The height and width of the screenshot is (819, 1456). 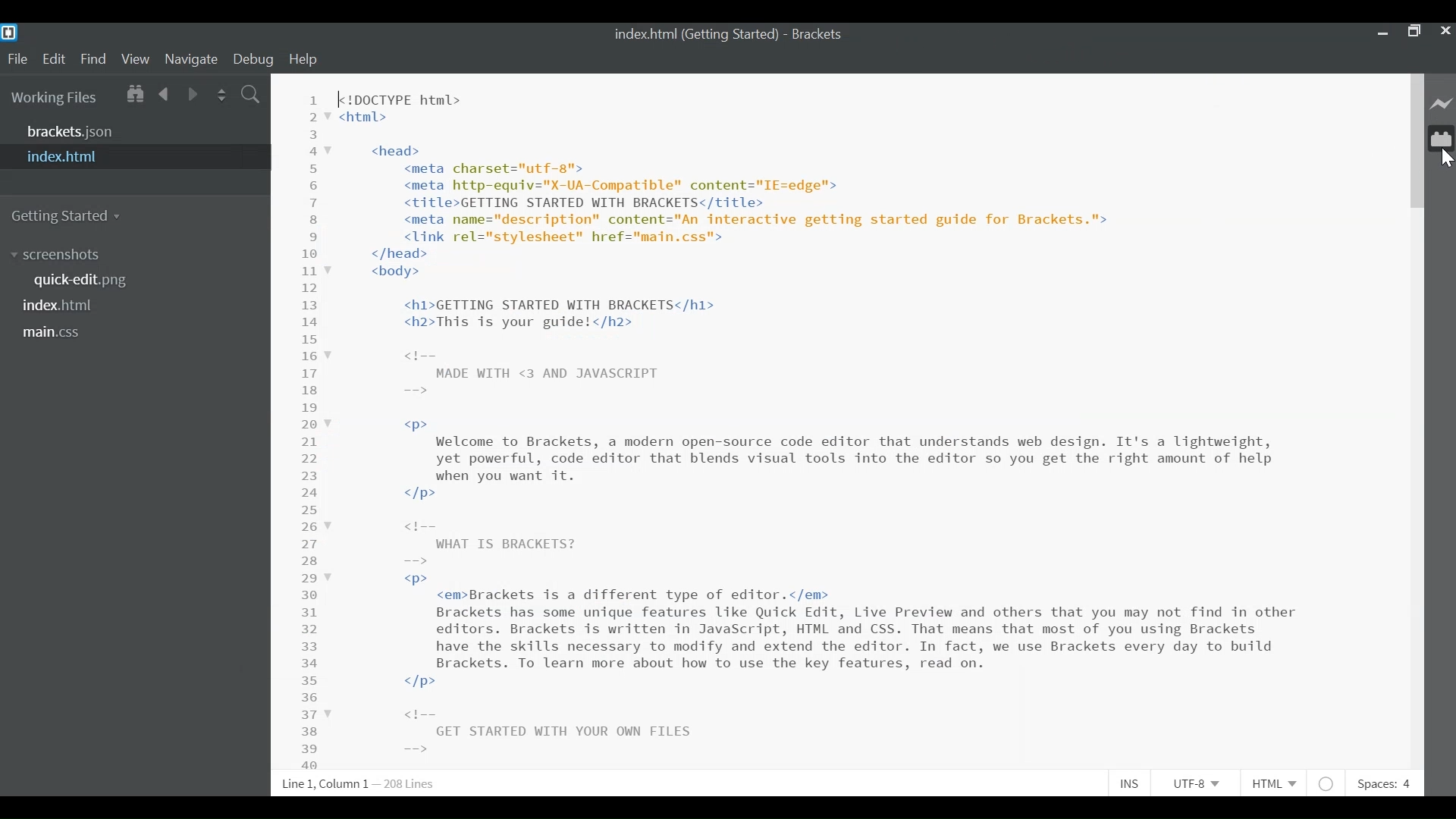 What do you see at coordinates (68, 215) in the screenshot?
I see `Getting Started` at bounding box center [68, 215].